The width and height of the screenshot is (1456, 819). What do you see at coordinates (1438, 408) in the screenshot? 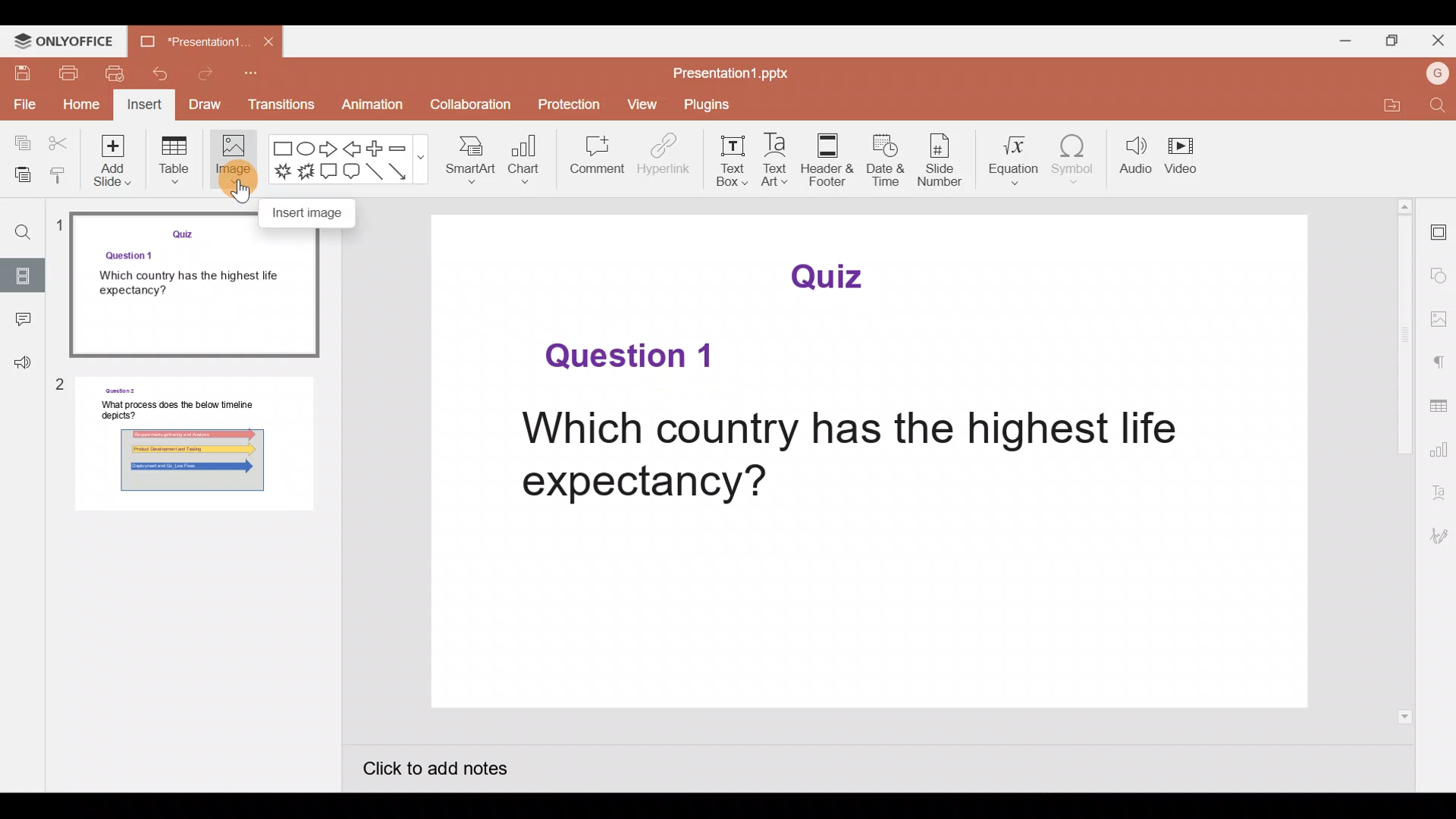
I see `Table settings` at bounding box center [1438, 408].